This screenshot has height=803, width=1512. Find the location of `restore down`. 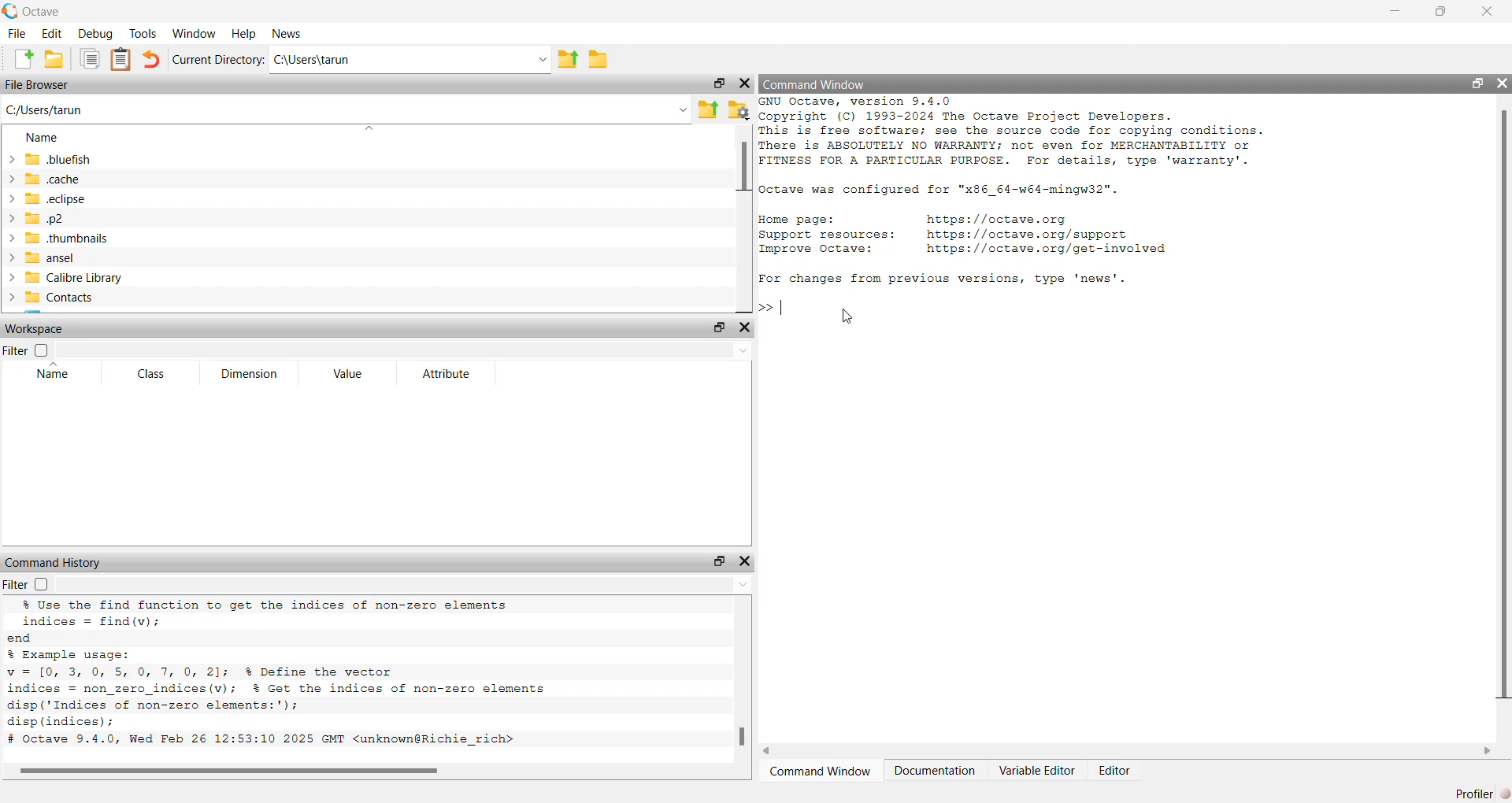

restore down is located at coordinates (717, 561).